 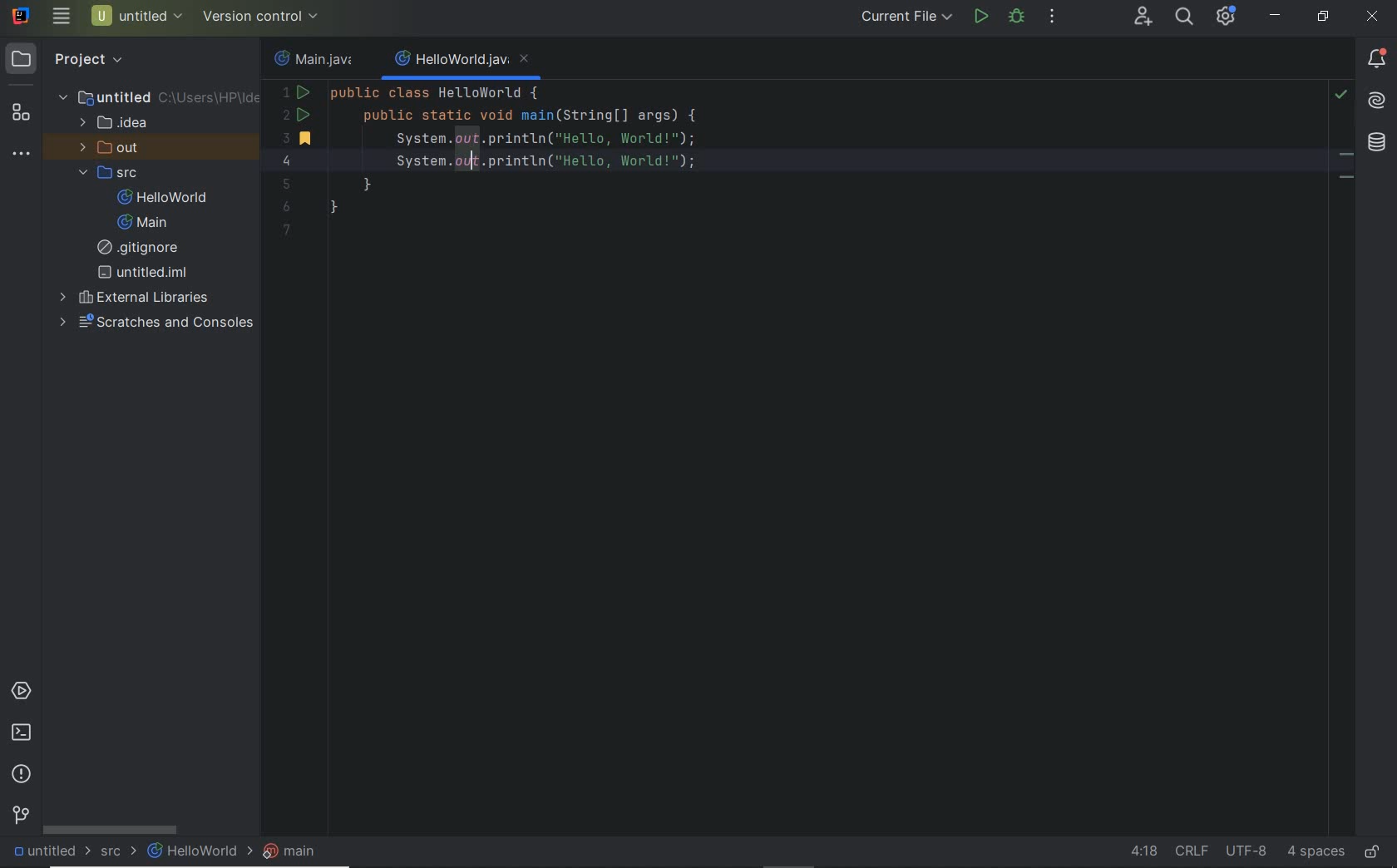 I want to click on terminal, so click(x=22, y=732).